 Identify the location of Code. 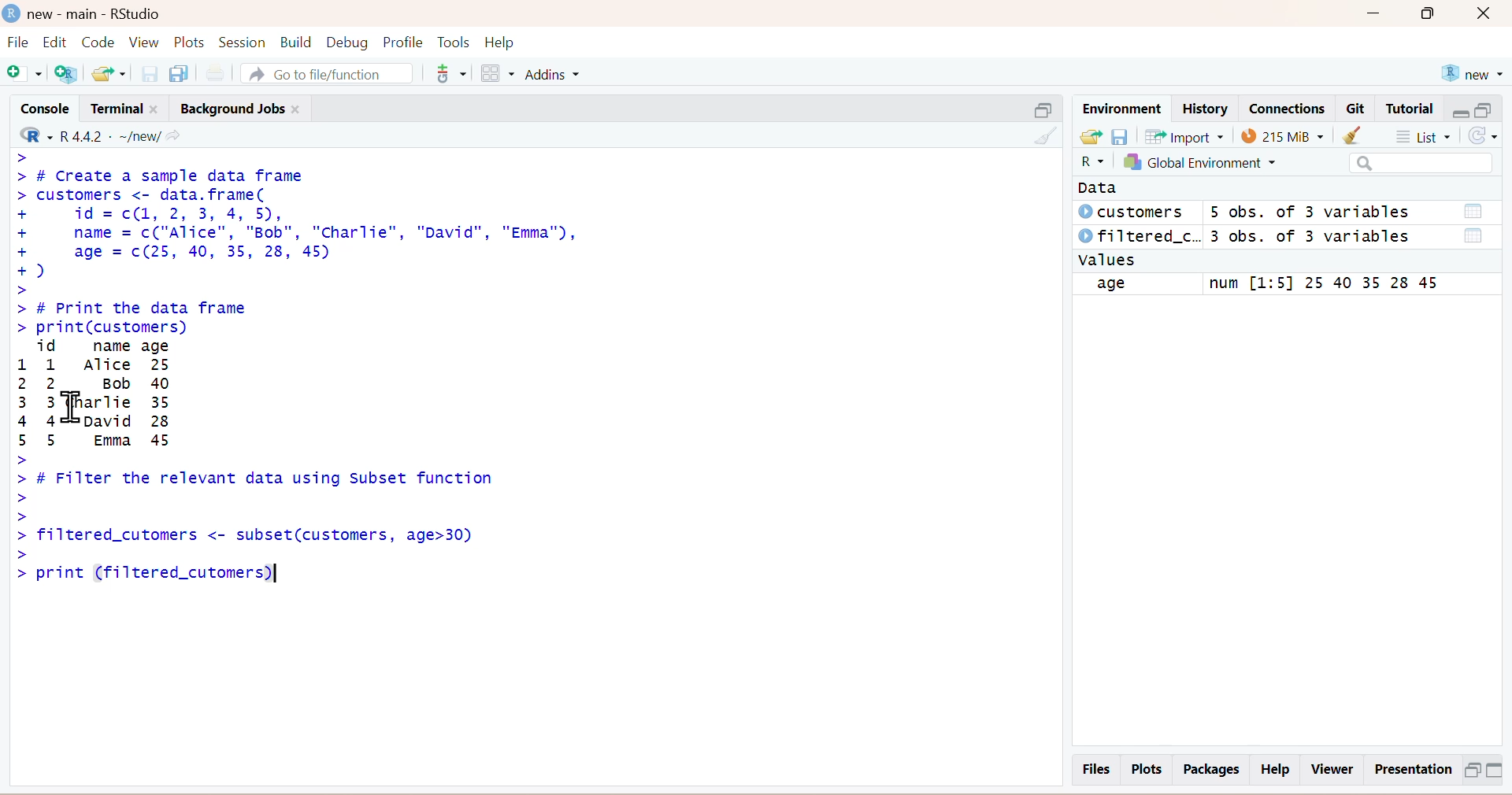
(100, 42).